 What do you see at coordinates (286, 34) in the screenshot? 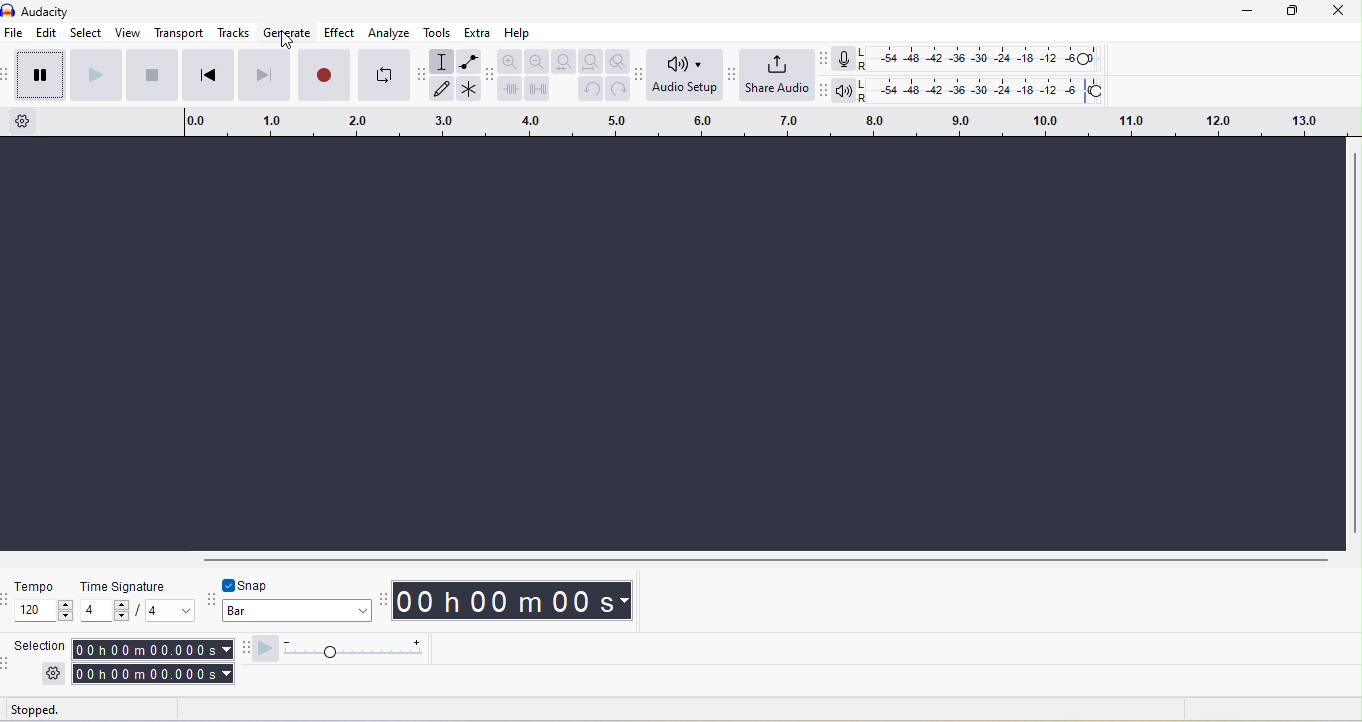
I see `generate` at bounding box center [286, 34].